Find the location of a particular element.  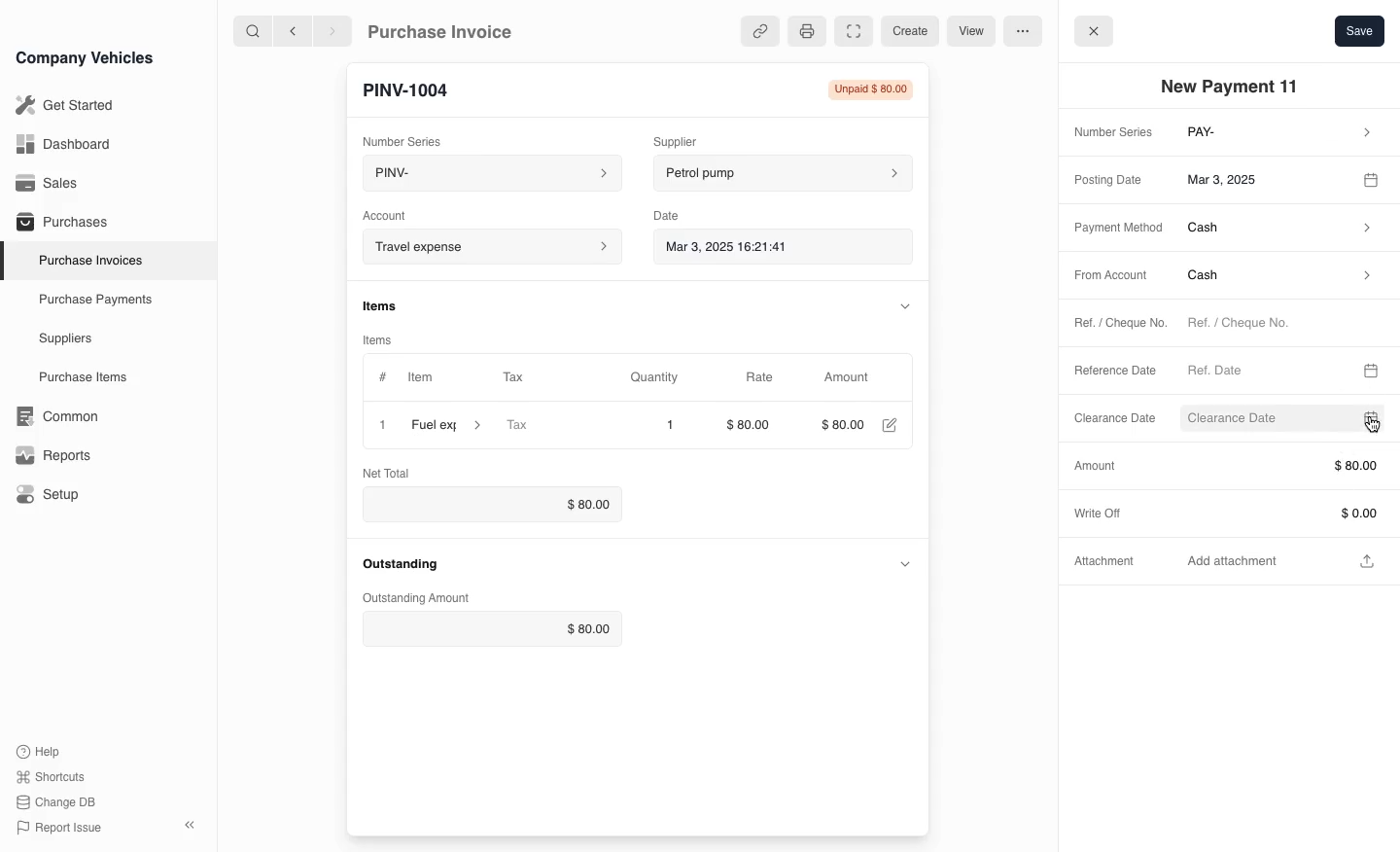

create is located at coordinates (907, 31).